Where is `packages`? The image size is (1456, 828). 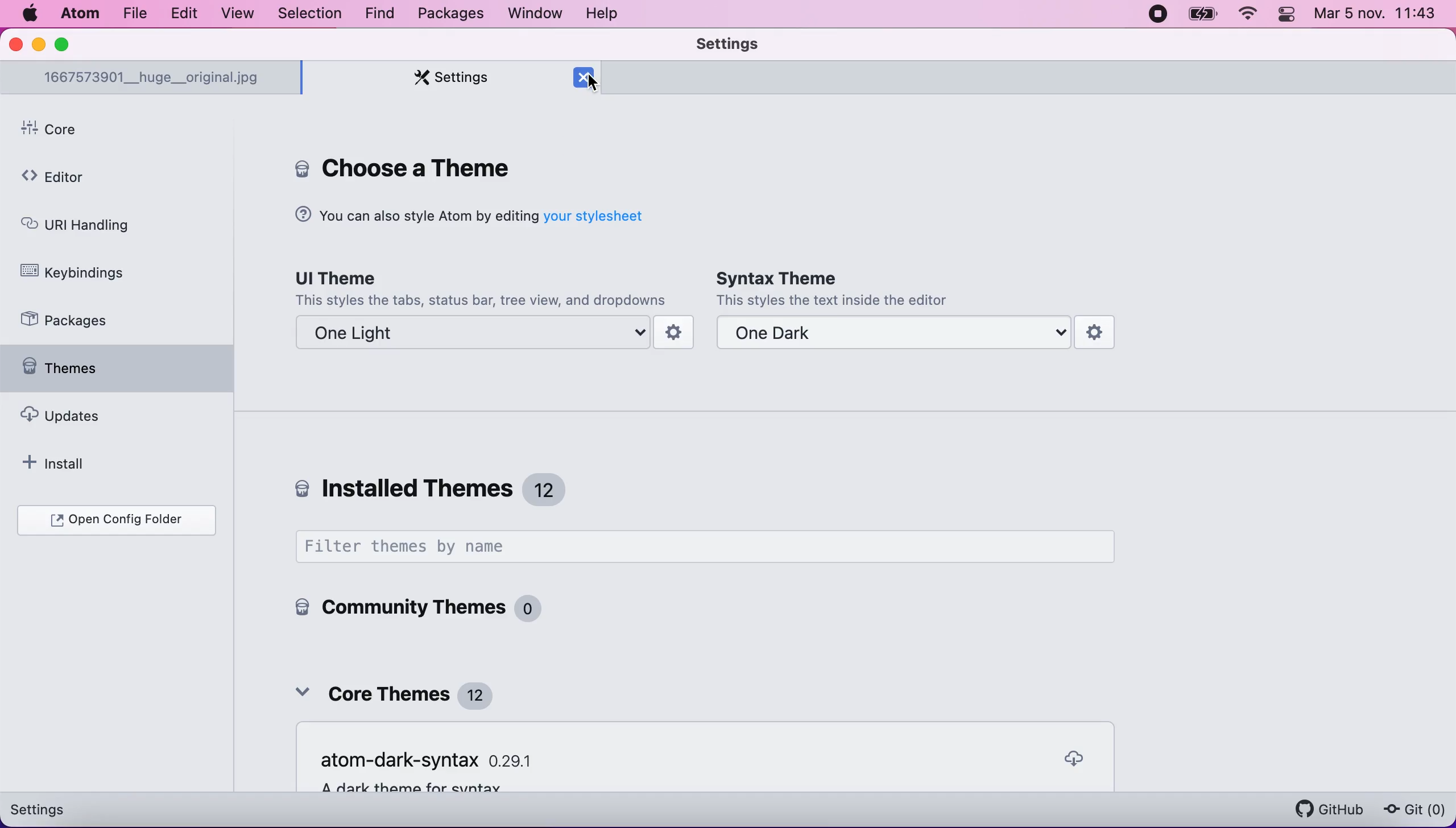 packages is located at coordinates (80, 322).